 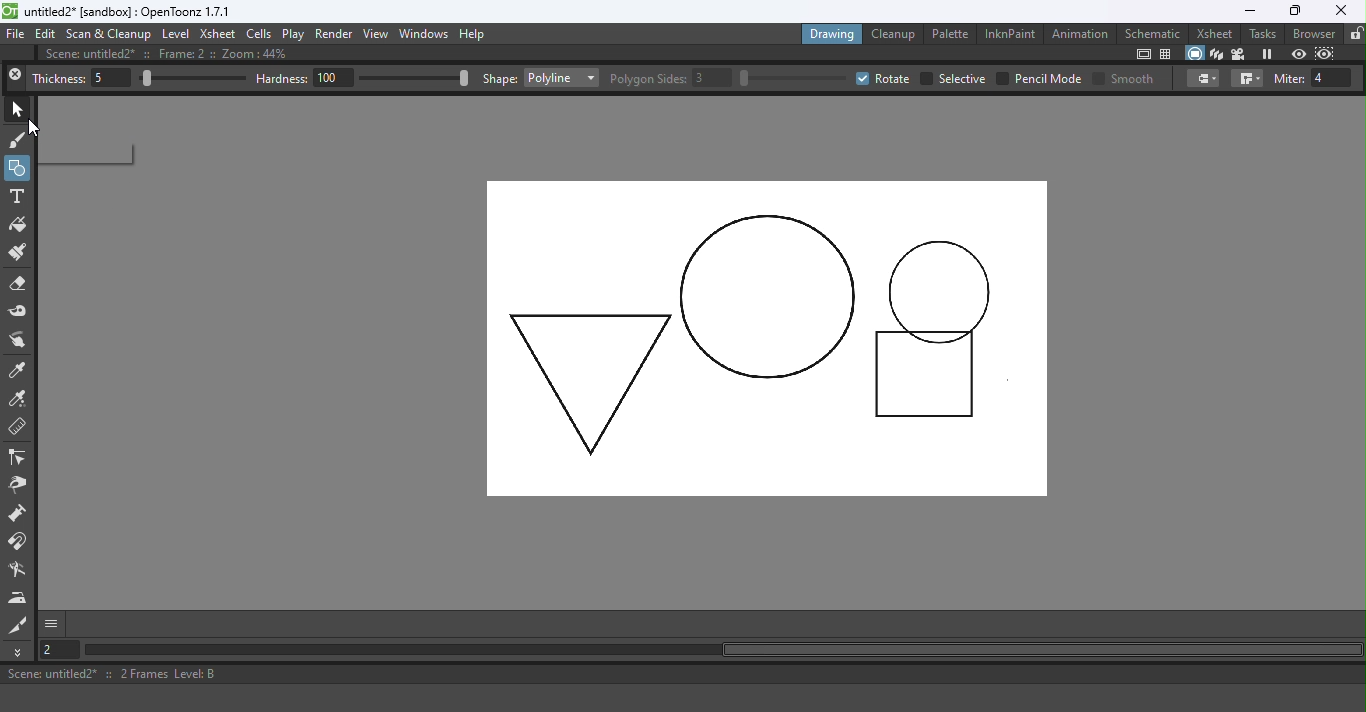 I want to click on Geometric tool, so click(x=18, y=168).